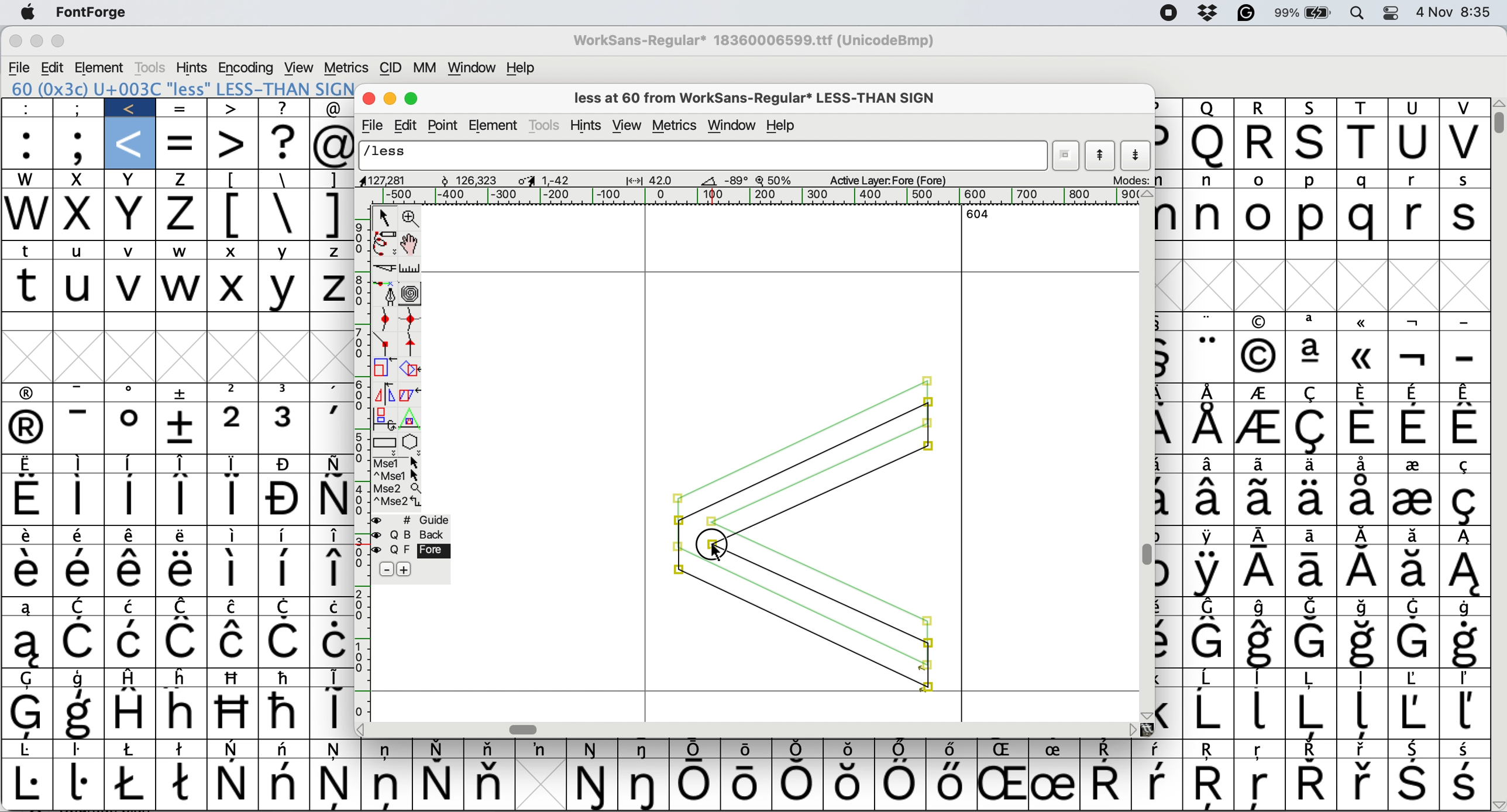 The width and height of the screenshot is (1507, 812). Describe the element at coordinates (1416, 535) in the screenshot. I see `Symbol` at that location.